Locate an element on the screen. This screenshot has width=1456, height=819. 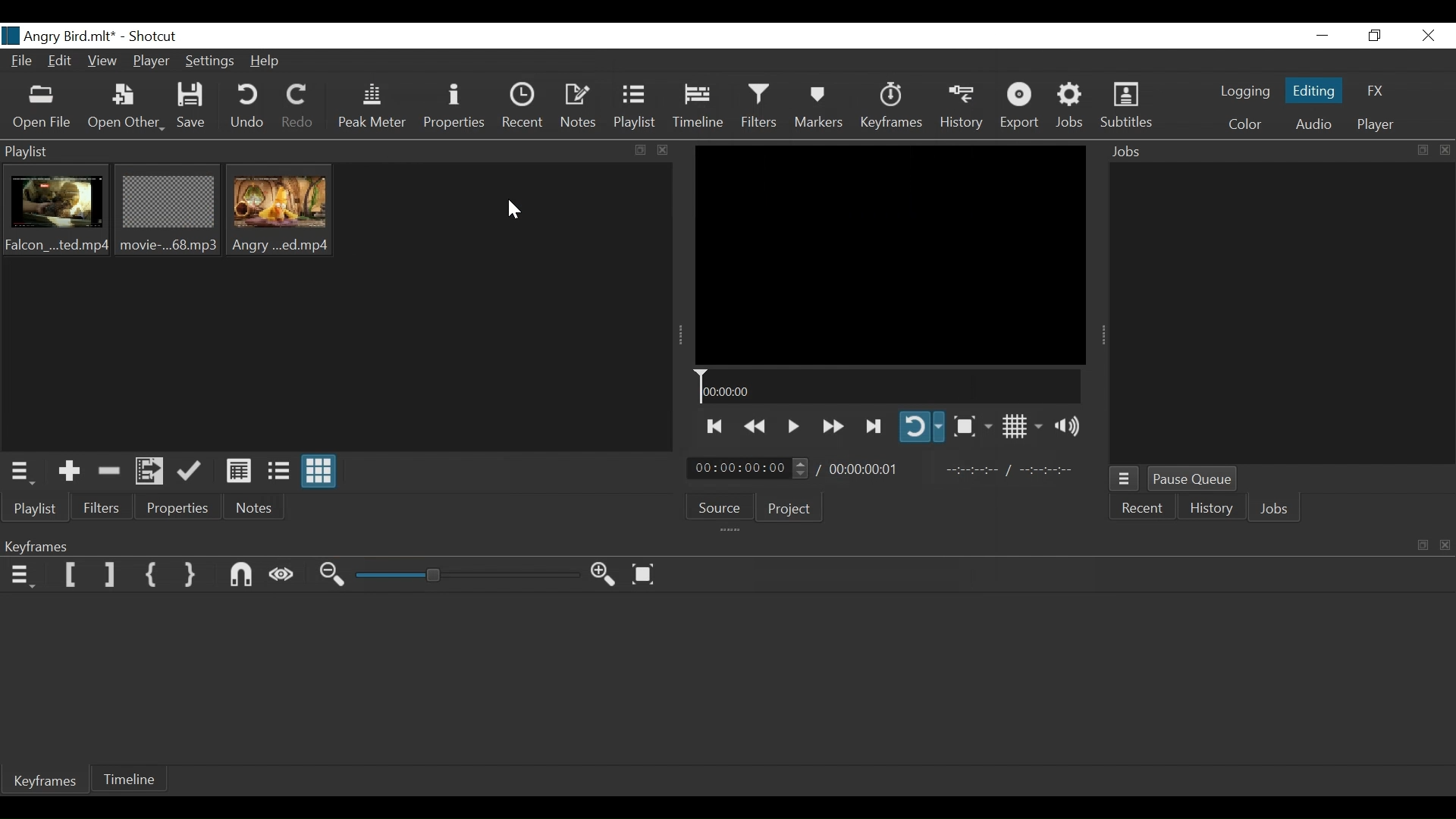
Jobs Panel is located at coordinates (1277, 153).